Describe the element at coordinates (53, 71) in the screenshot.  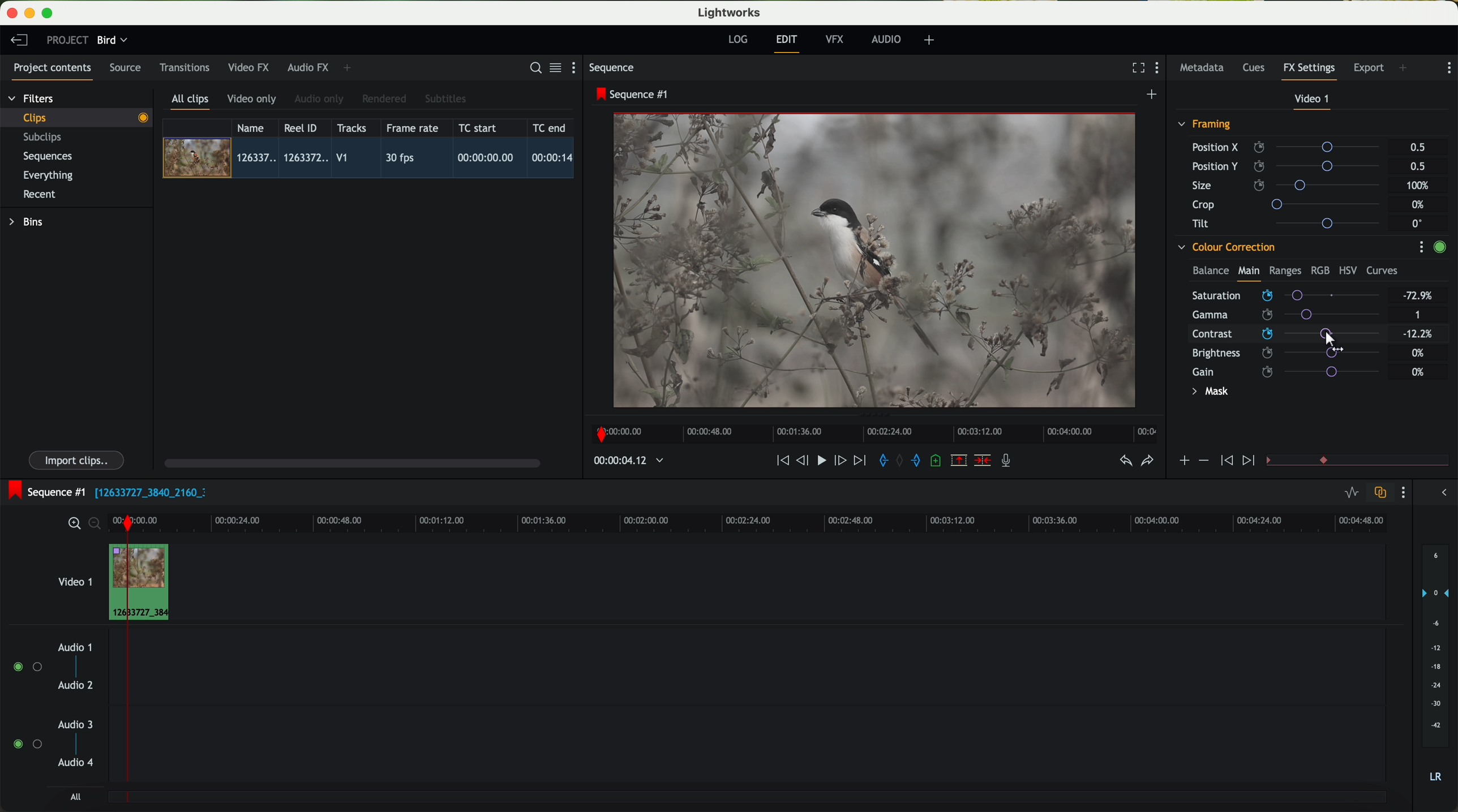
I see `project contents` at that location.